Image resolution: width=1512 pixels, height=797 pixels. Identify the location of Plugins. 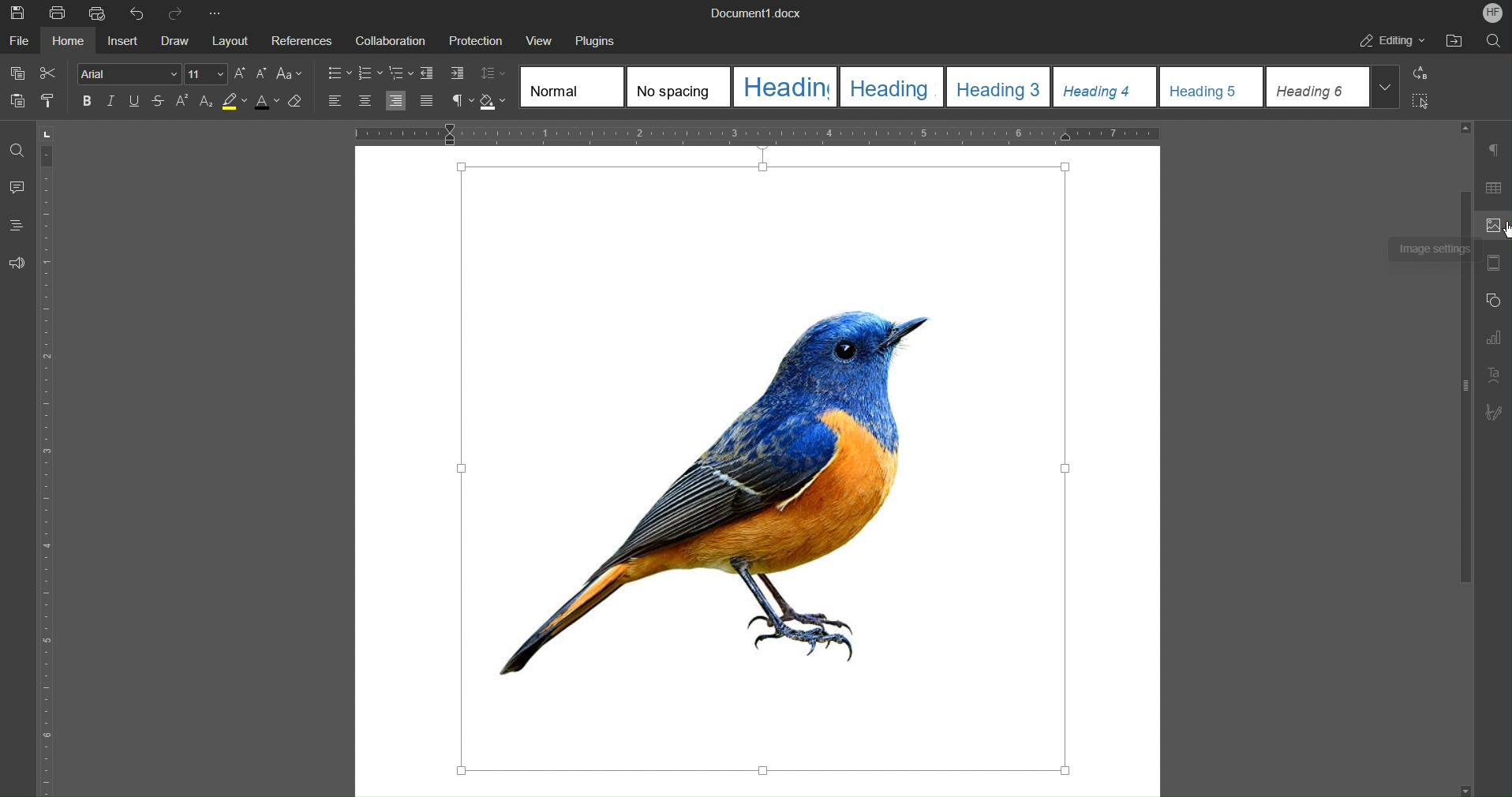
(592, 38).